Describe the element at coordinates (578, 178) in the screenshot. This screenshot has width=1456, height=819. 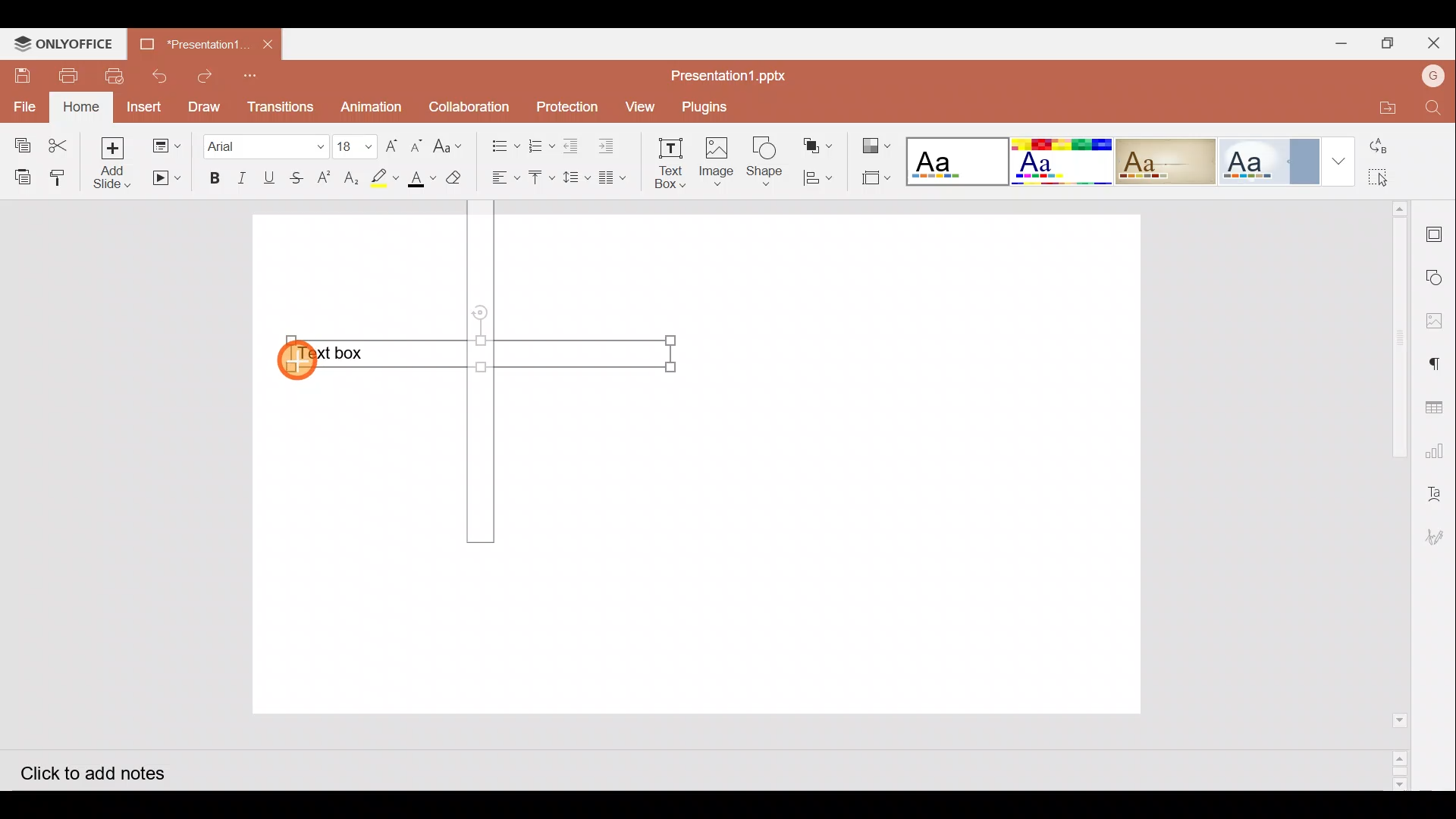
I see `Line spacing` at that location.